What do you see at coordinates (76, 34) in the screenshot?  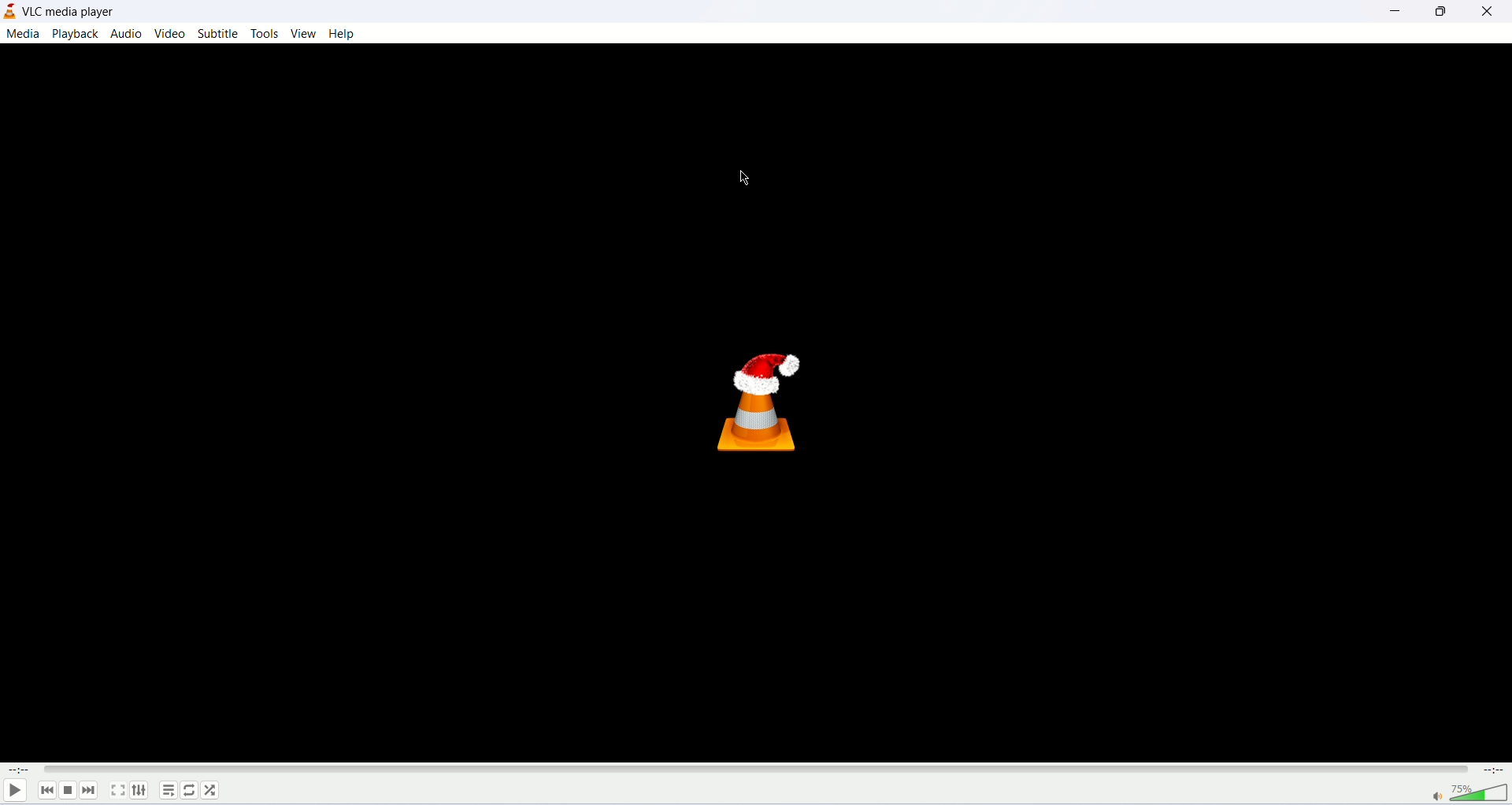 I see `playback` at bounding box center [76, 34].